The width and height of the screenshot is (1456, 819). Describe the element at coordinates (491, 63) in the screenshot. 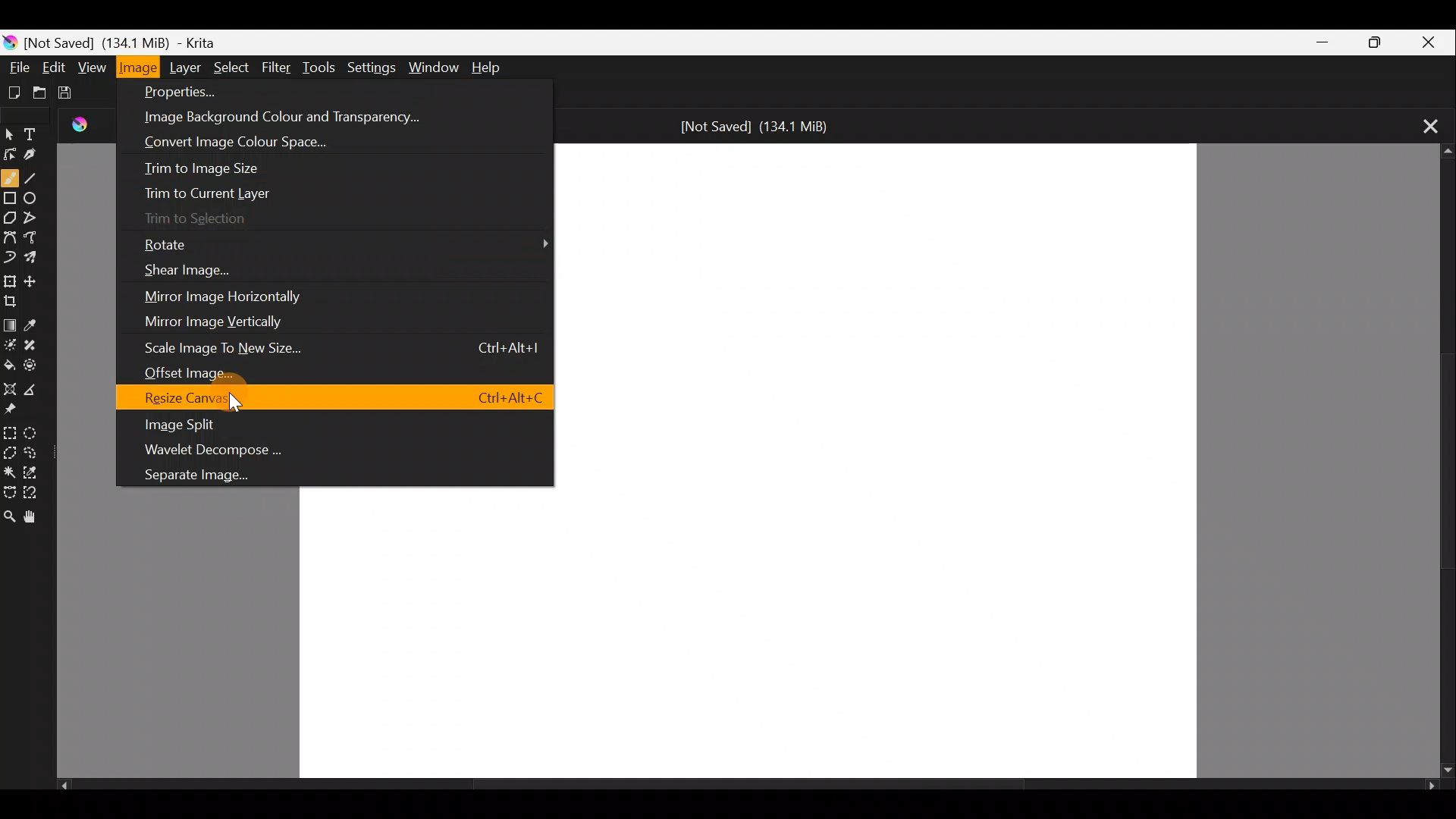

I see `Help` at that location.